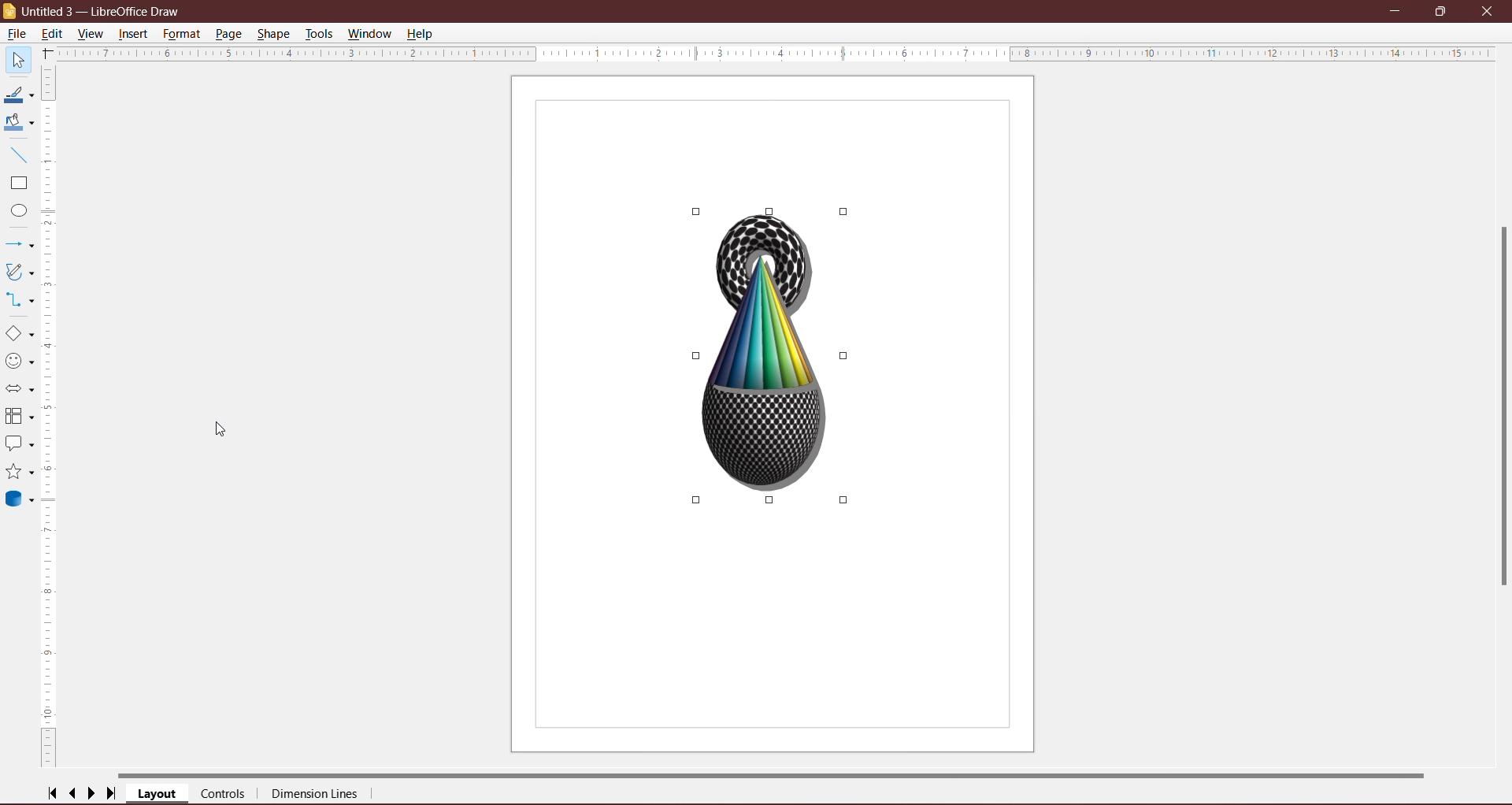 This screenshot has width=1512, height=805. I want to click on Fill Color, so click(18, 124).